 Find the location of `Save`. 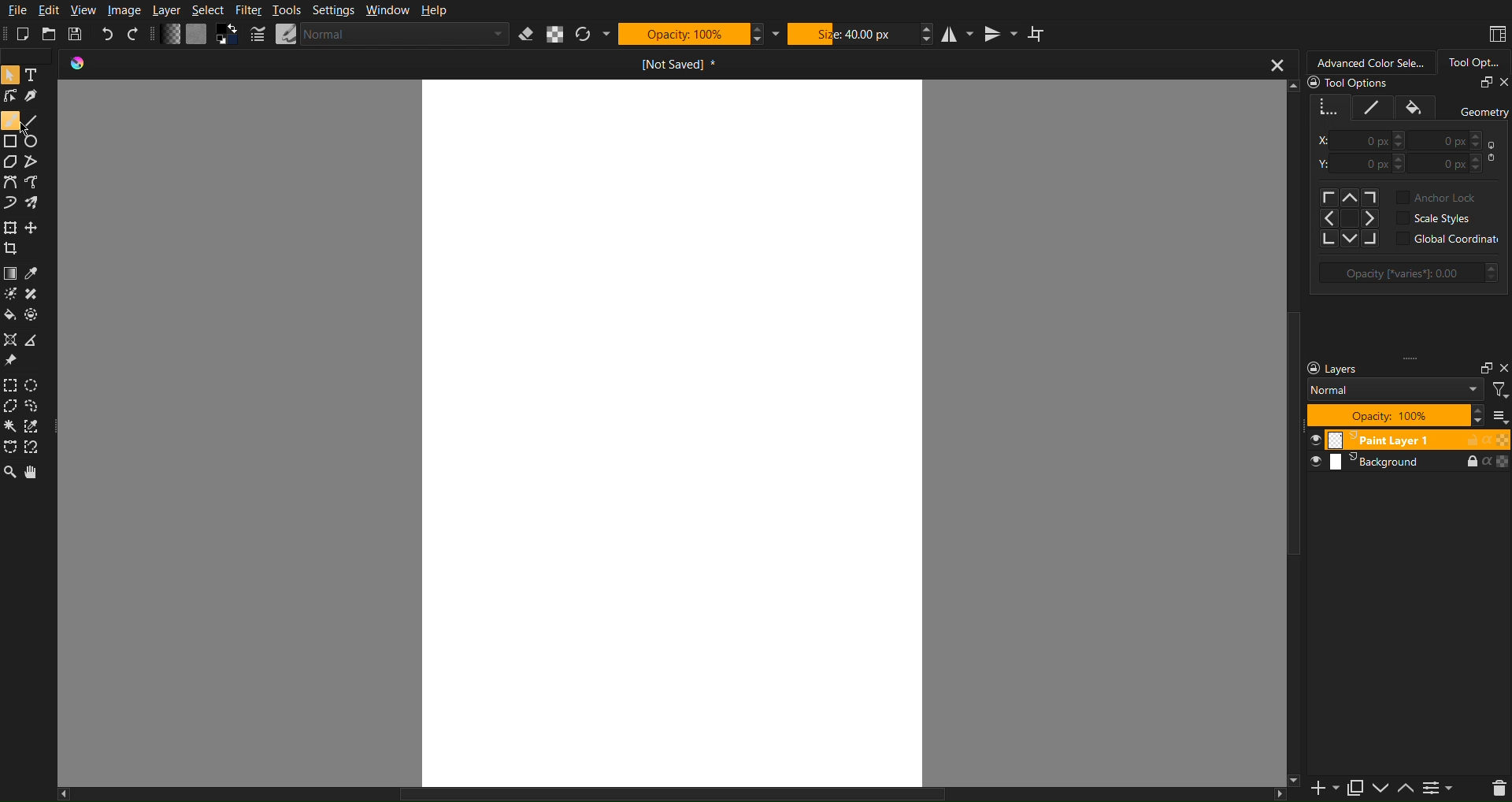

Save is located at coordinates (77, 33).